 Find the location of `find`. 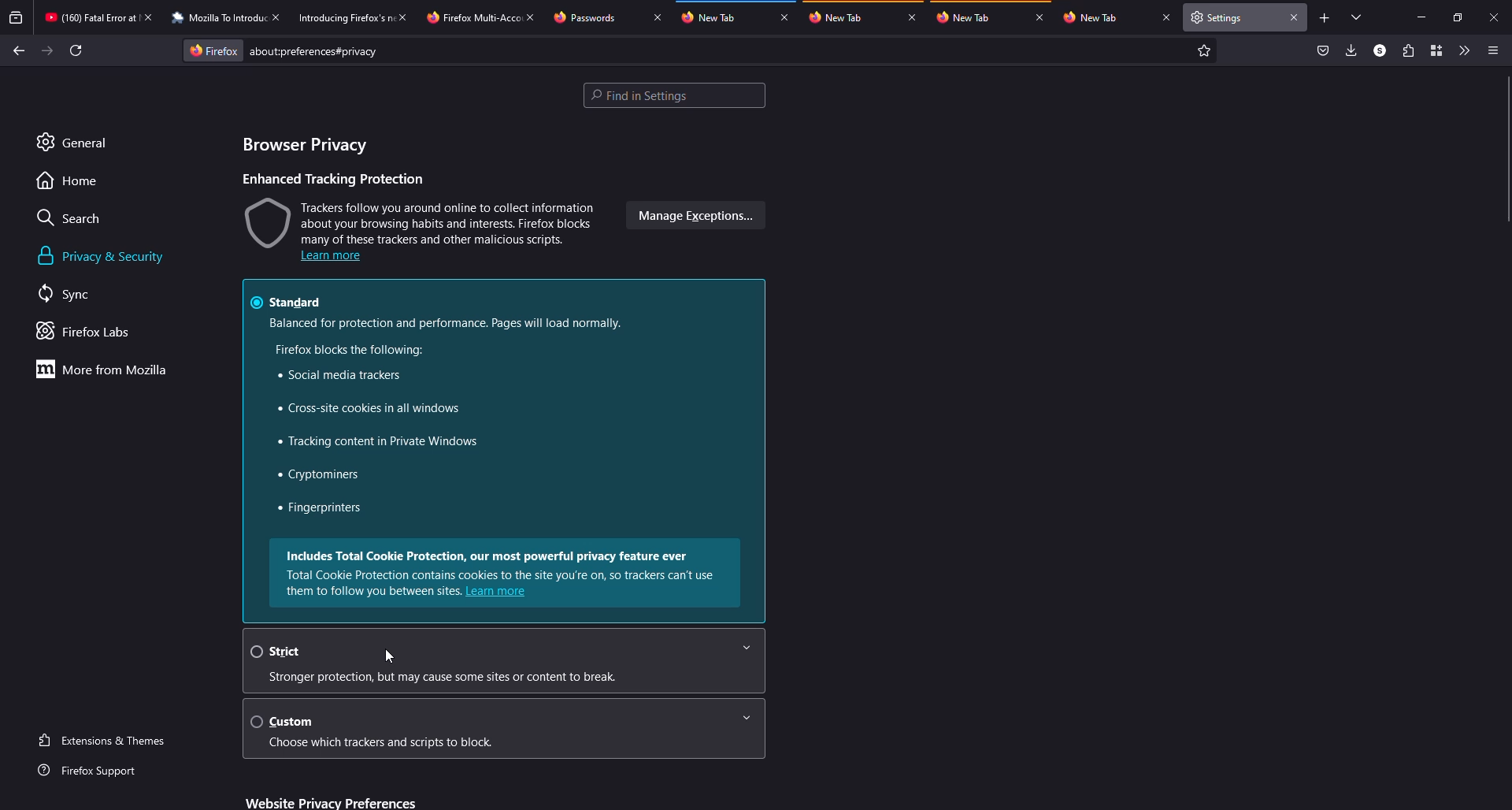

find is located at coordinates (674, 95).